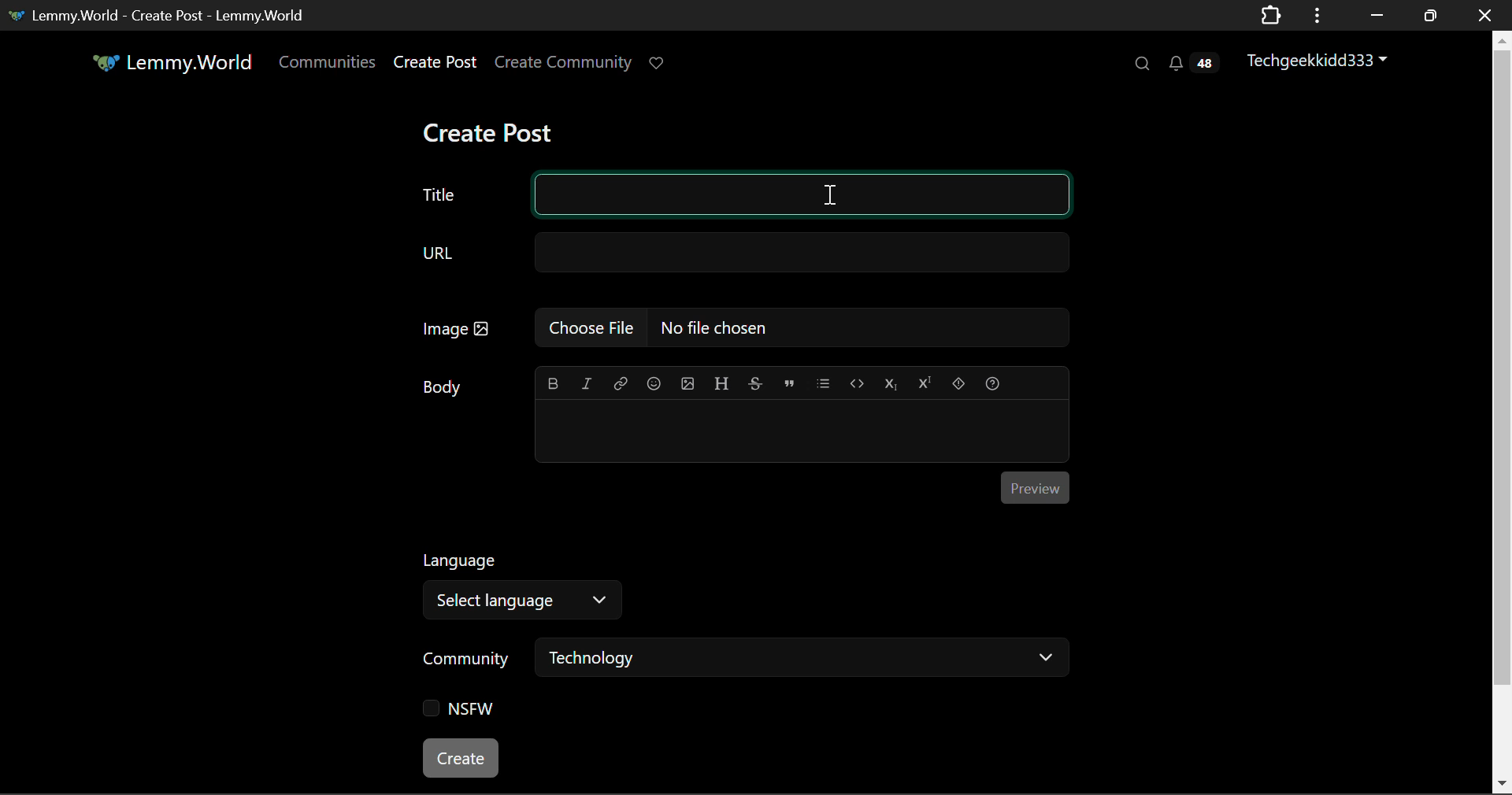 This screenshot has width=1512, height=795. What do you see at coordinates (1034, 486) in the screenshot?
I see `Post Preview Button` at bounding box center [1034, 486].